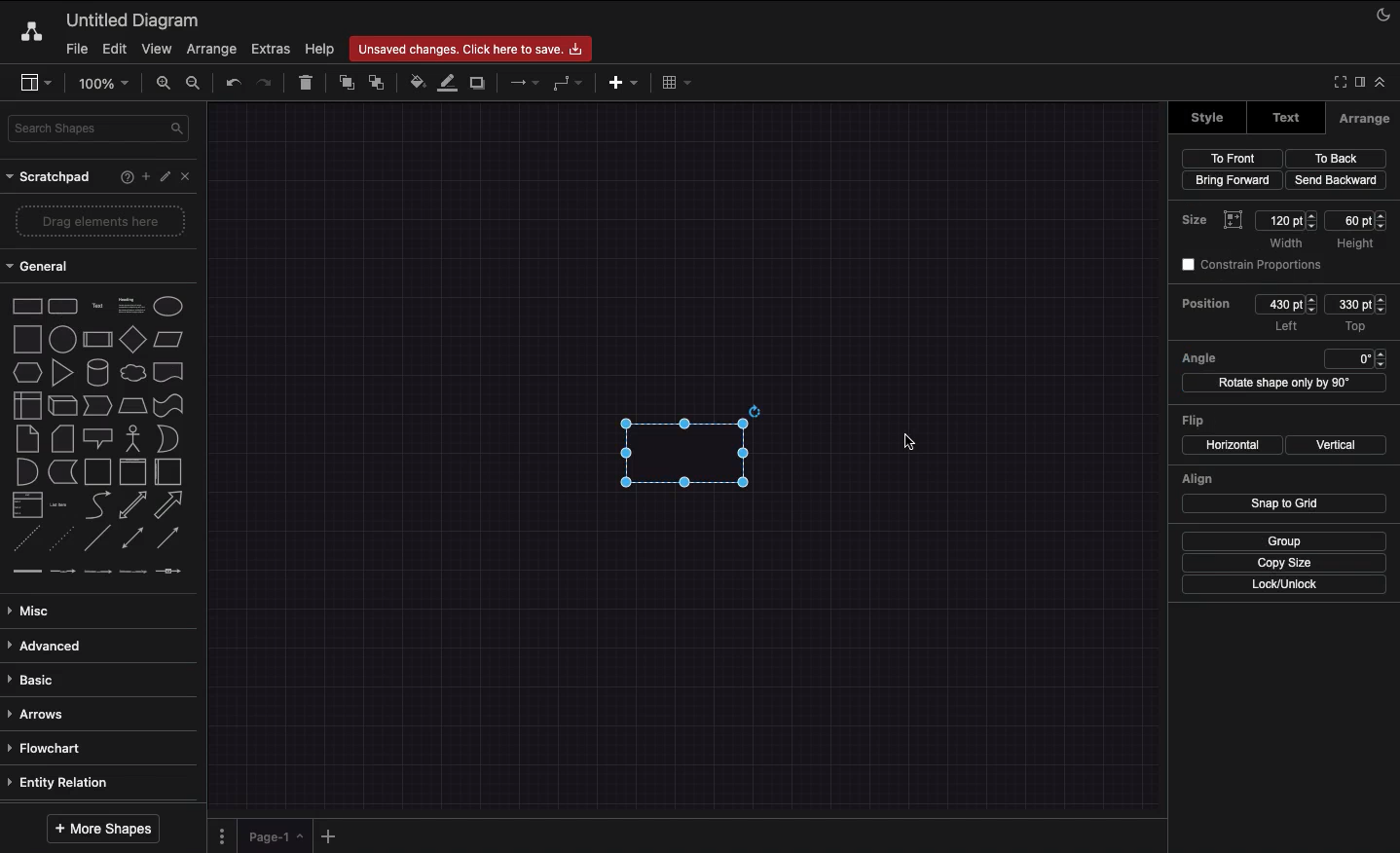  I want to click on cursor, so click(909, 441).